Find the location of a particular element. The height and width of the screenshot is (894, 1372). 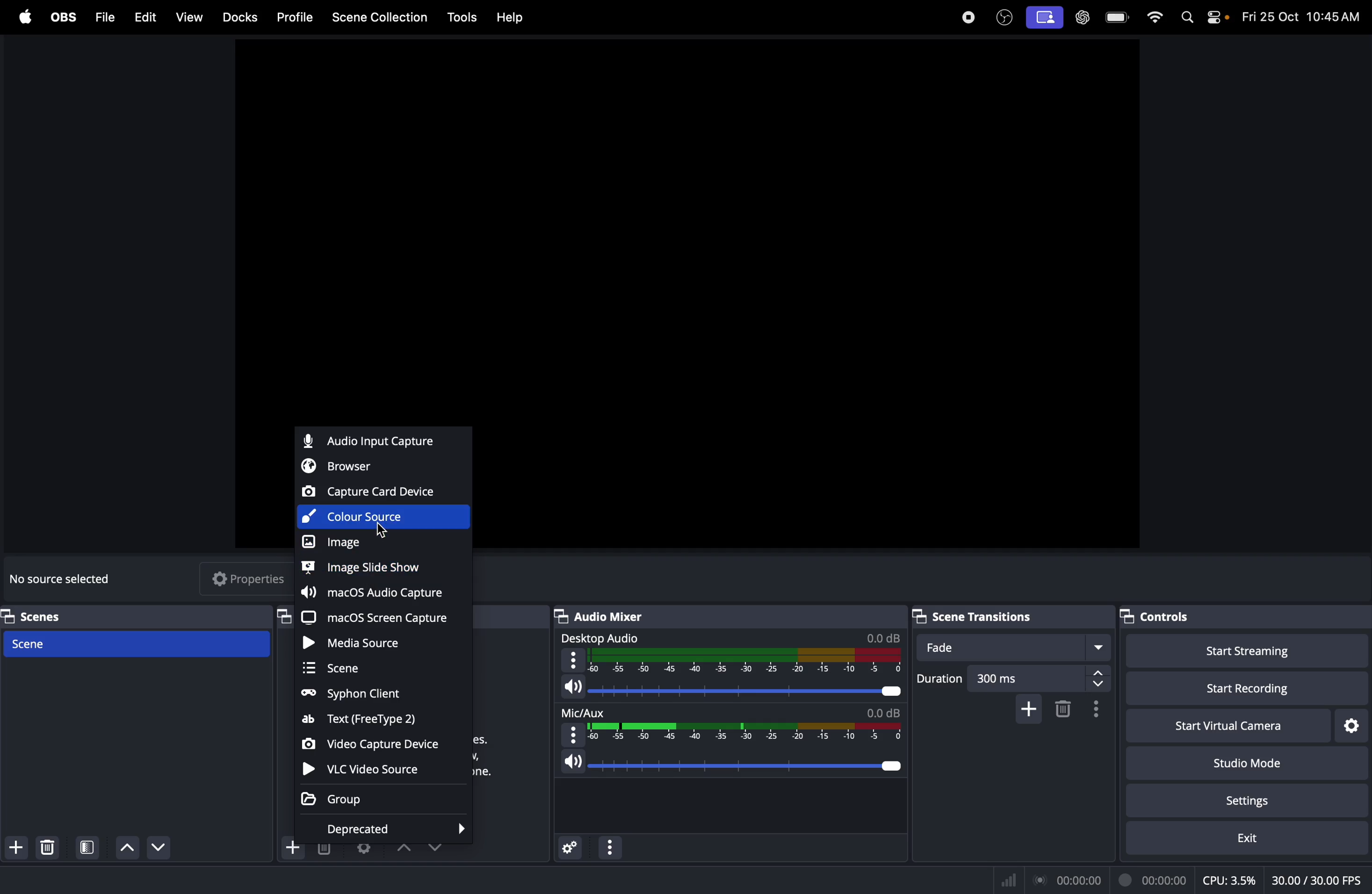

open scene filter is located at coordinates (89, 847).